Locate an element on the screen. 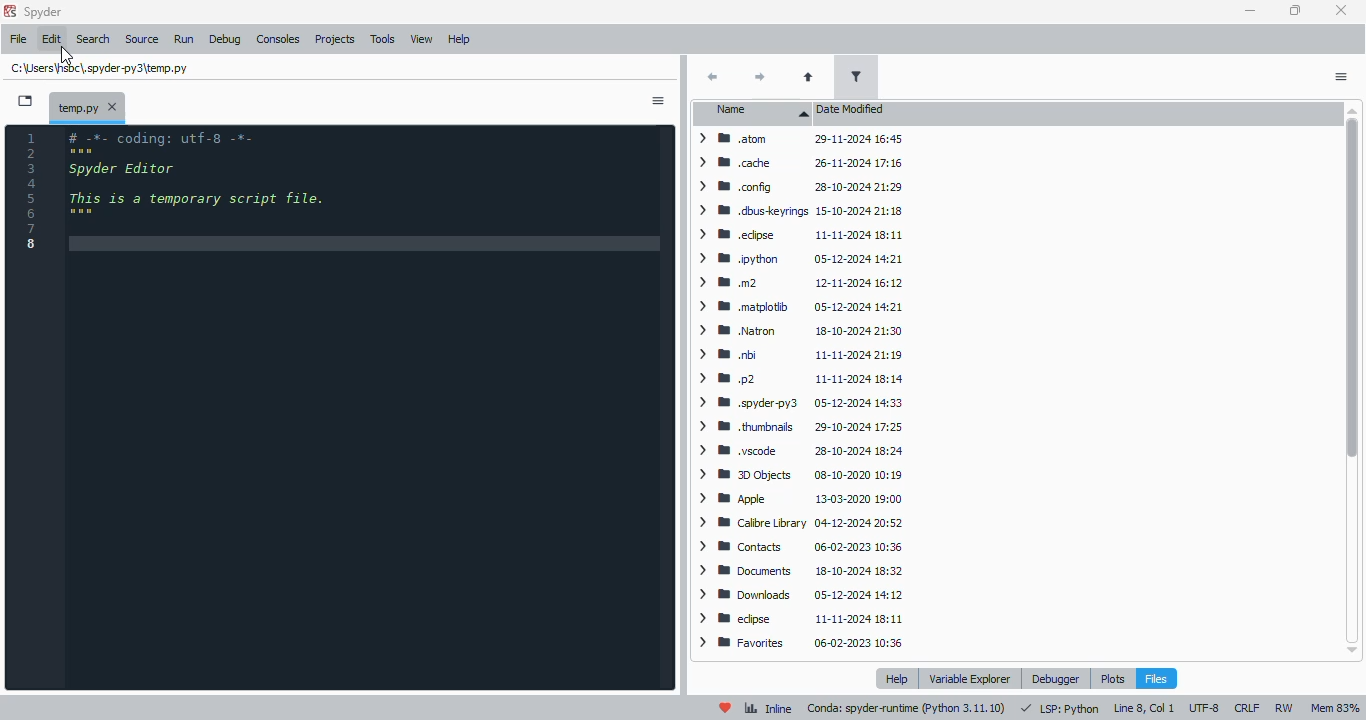 This screenshot has width=1366, height=720. line 8, col 1 is located at coordinates (1145, 708).